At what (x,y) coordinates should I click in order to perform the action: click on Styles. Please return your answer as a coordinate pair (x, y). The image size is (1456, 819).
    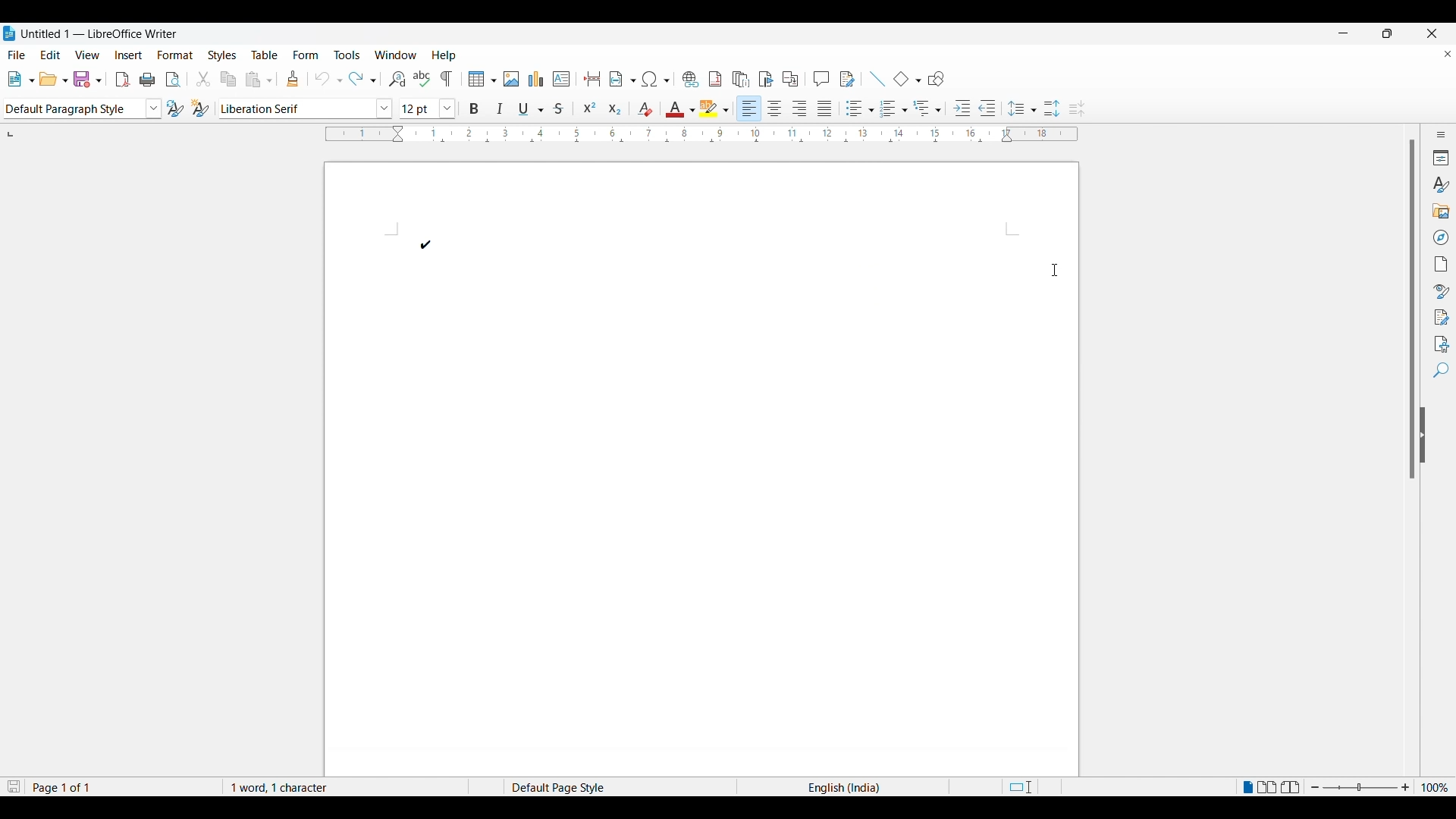
    Looking at the image, I should click on (1440, 184).